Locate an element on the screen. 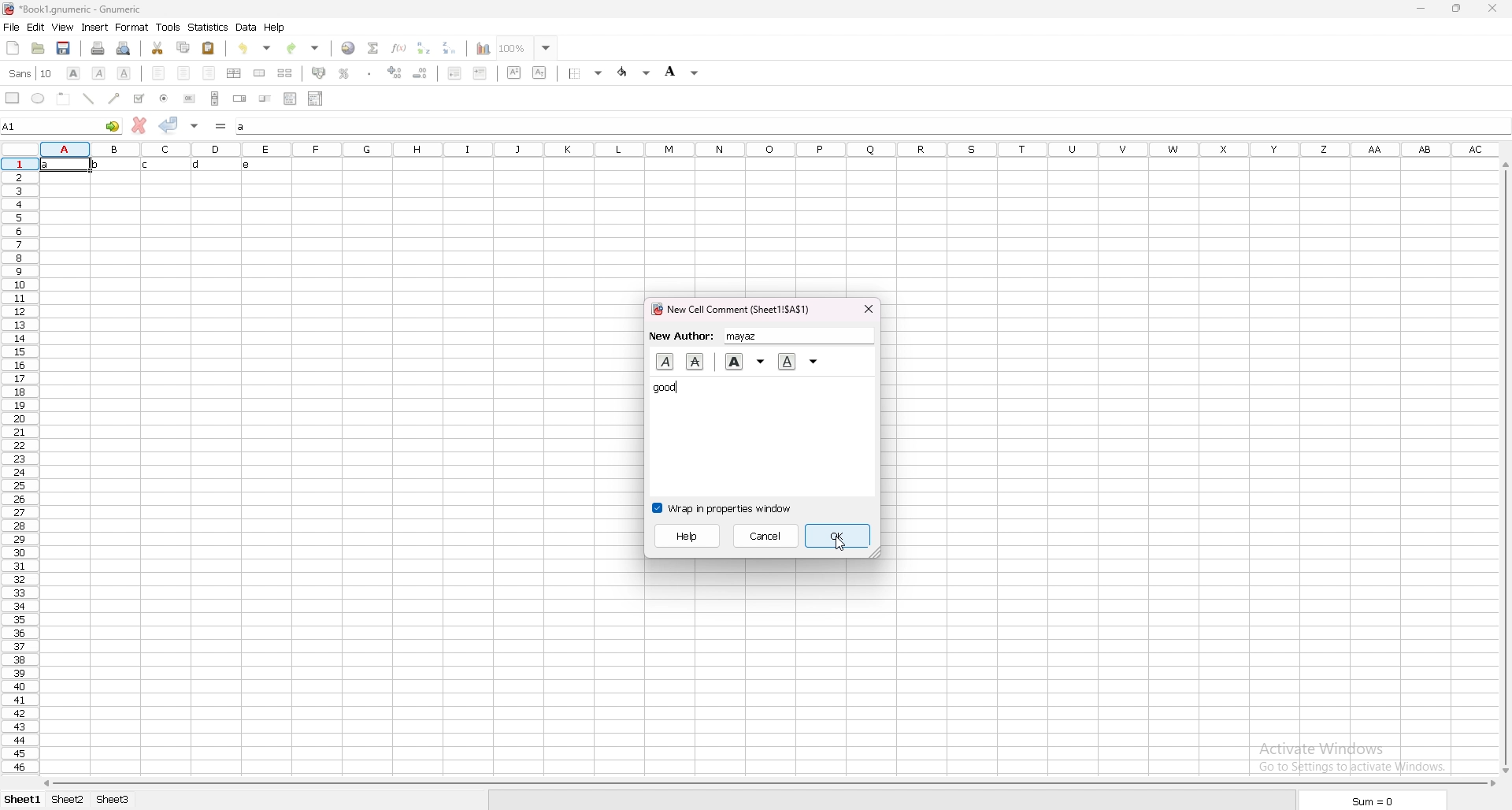 The width and height of the screenshot is (1512, 810). file name is located at coordinates (73, 9).